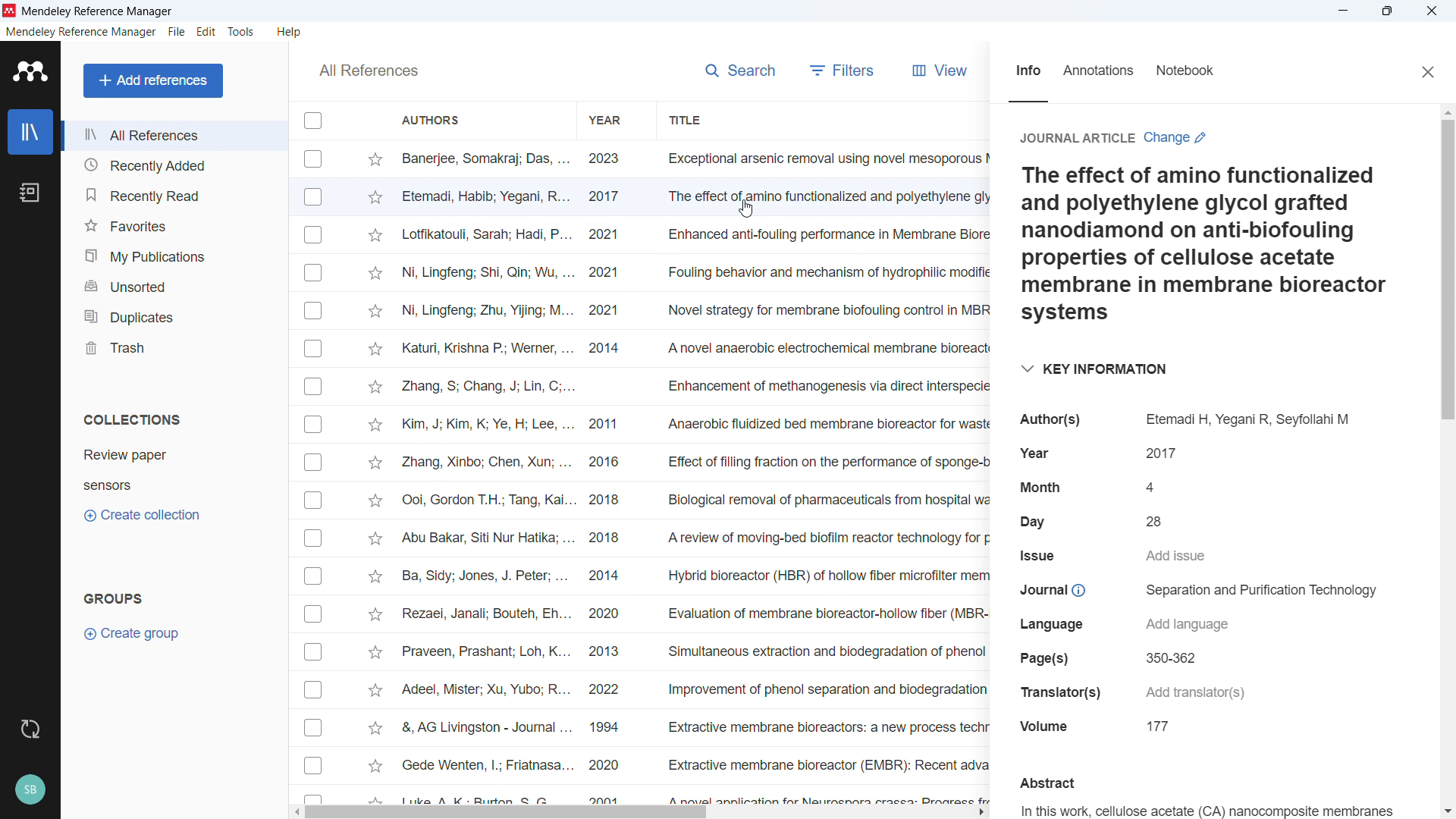 The height and width of the screenshot is (819, 1456). I want to click on all references, so click(174, 134).